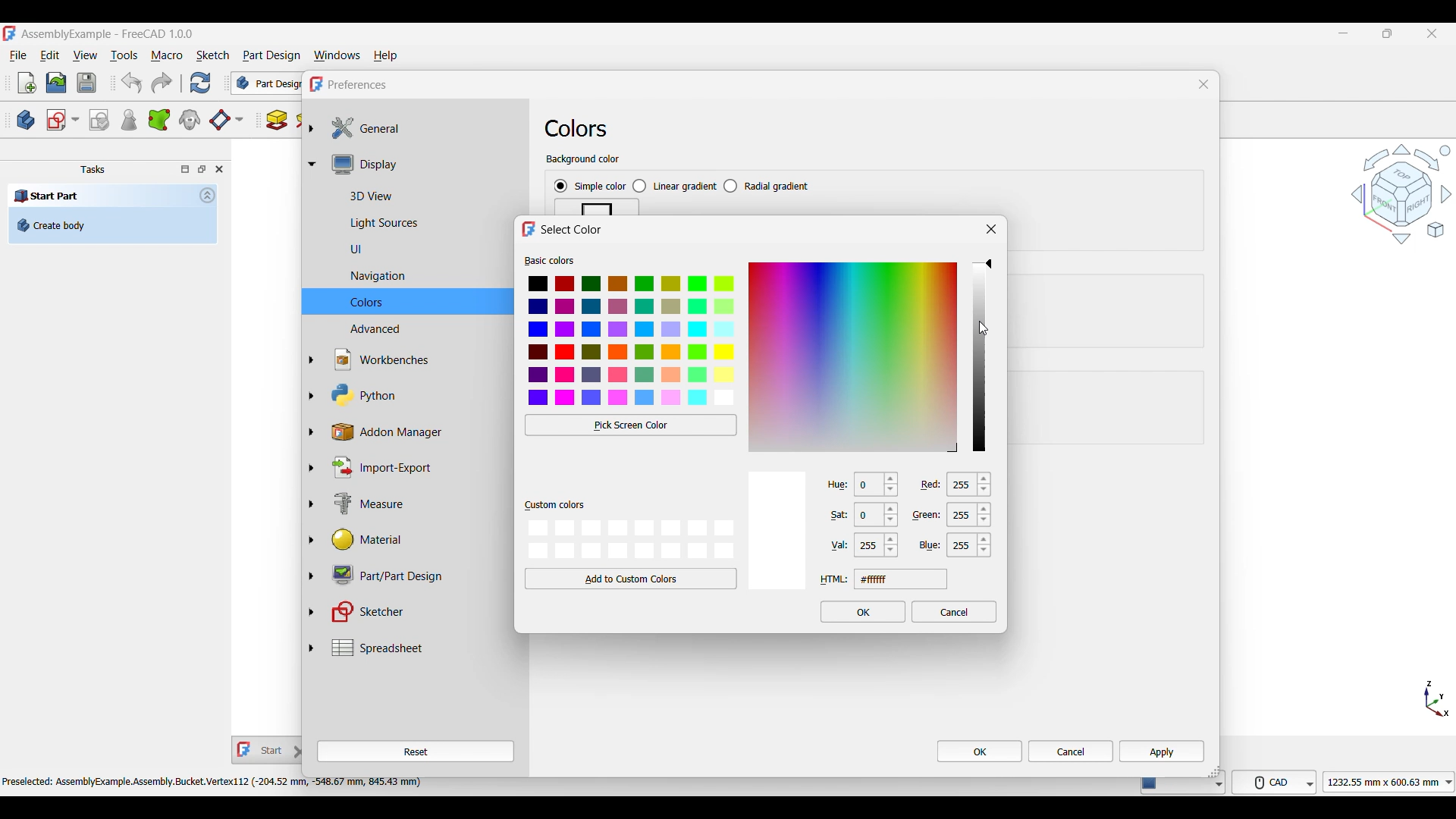 This screenshot has height=819, width=1456. Describe the element at coordinates (1401, 193) in the screenshot. I see `Navigation` at that location.